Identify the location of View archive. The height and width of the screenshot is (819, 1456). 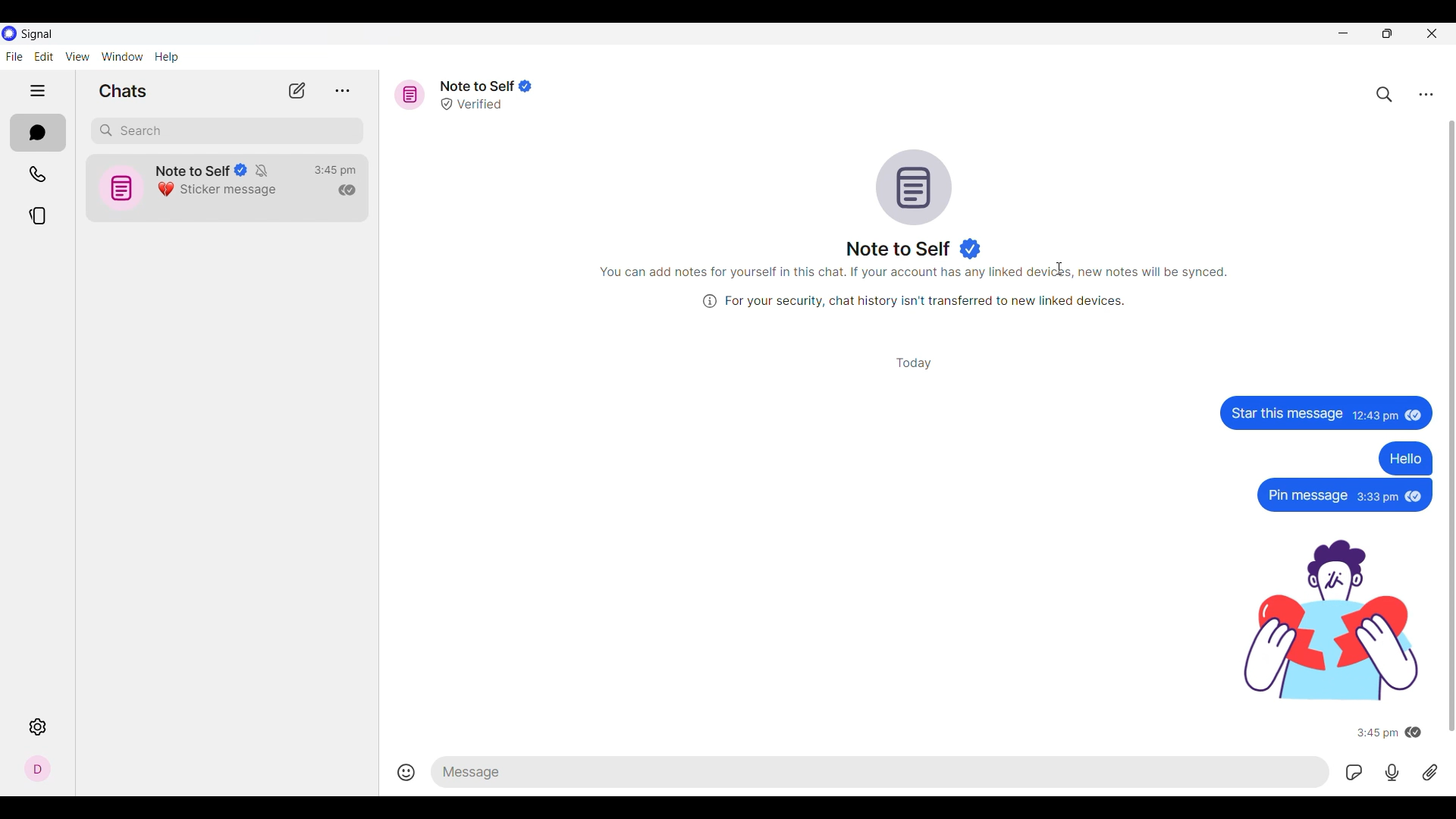
(342, 91).